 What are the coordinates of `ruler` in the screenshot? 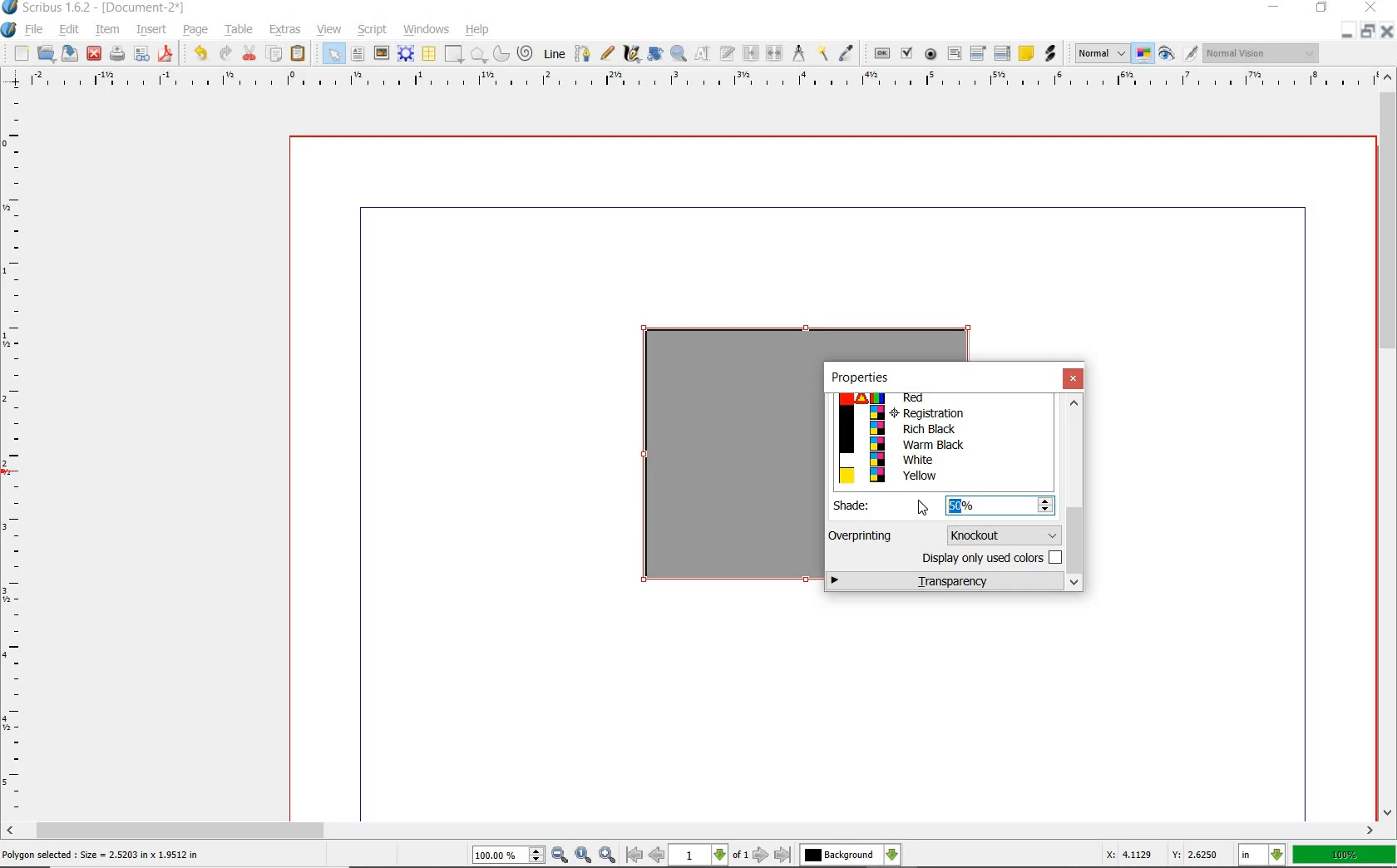 It's located at (696, 81).